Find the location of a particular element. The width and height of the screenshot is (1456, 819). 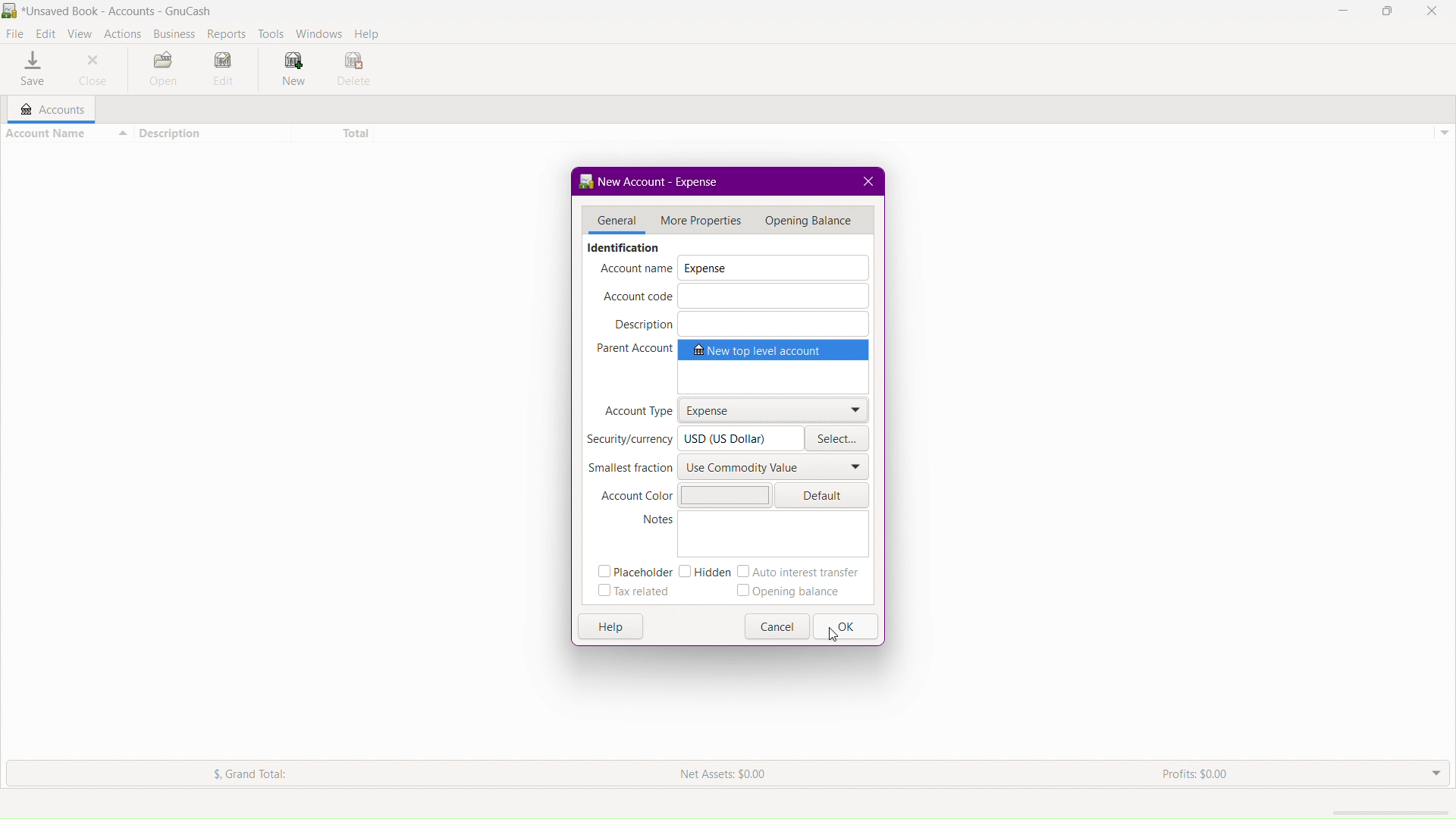

Reports is located at coordinates (224, 32).